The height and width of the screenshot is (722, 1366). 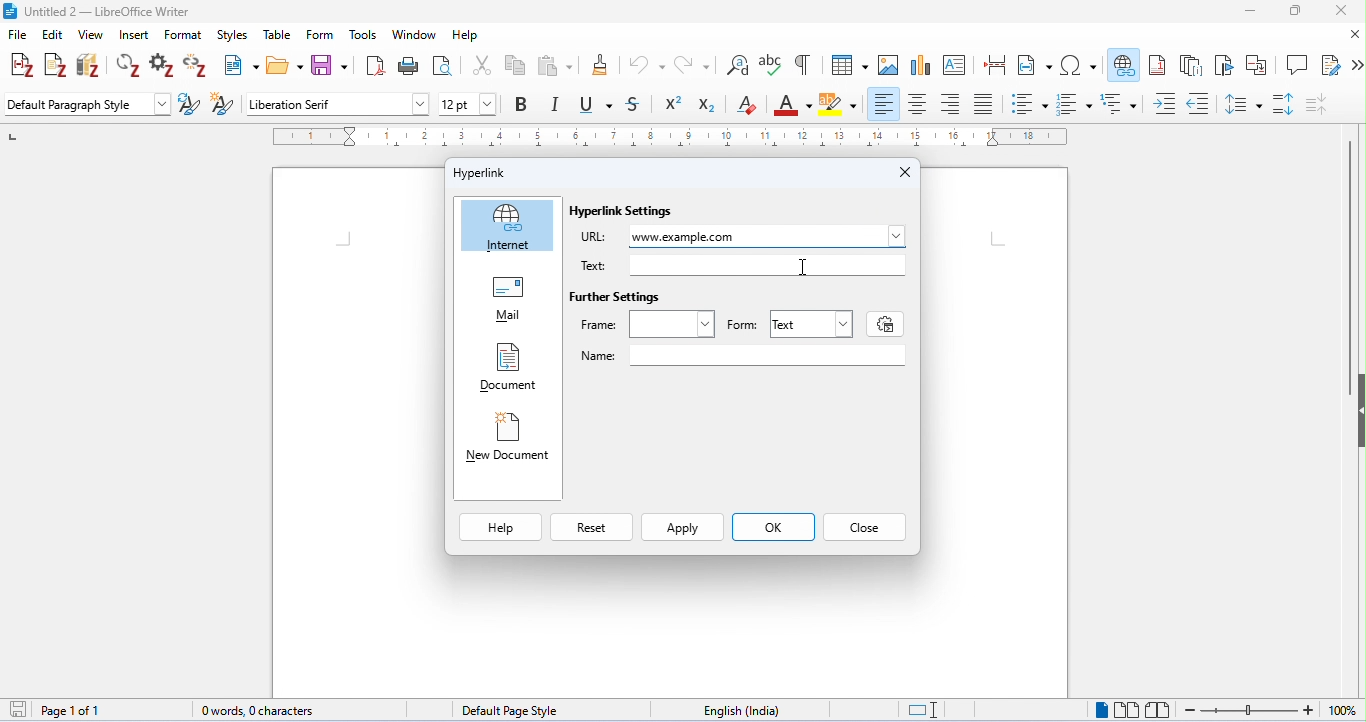 I want to click on settings, so click(x=880, y=326).